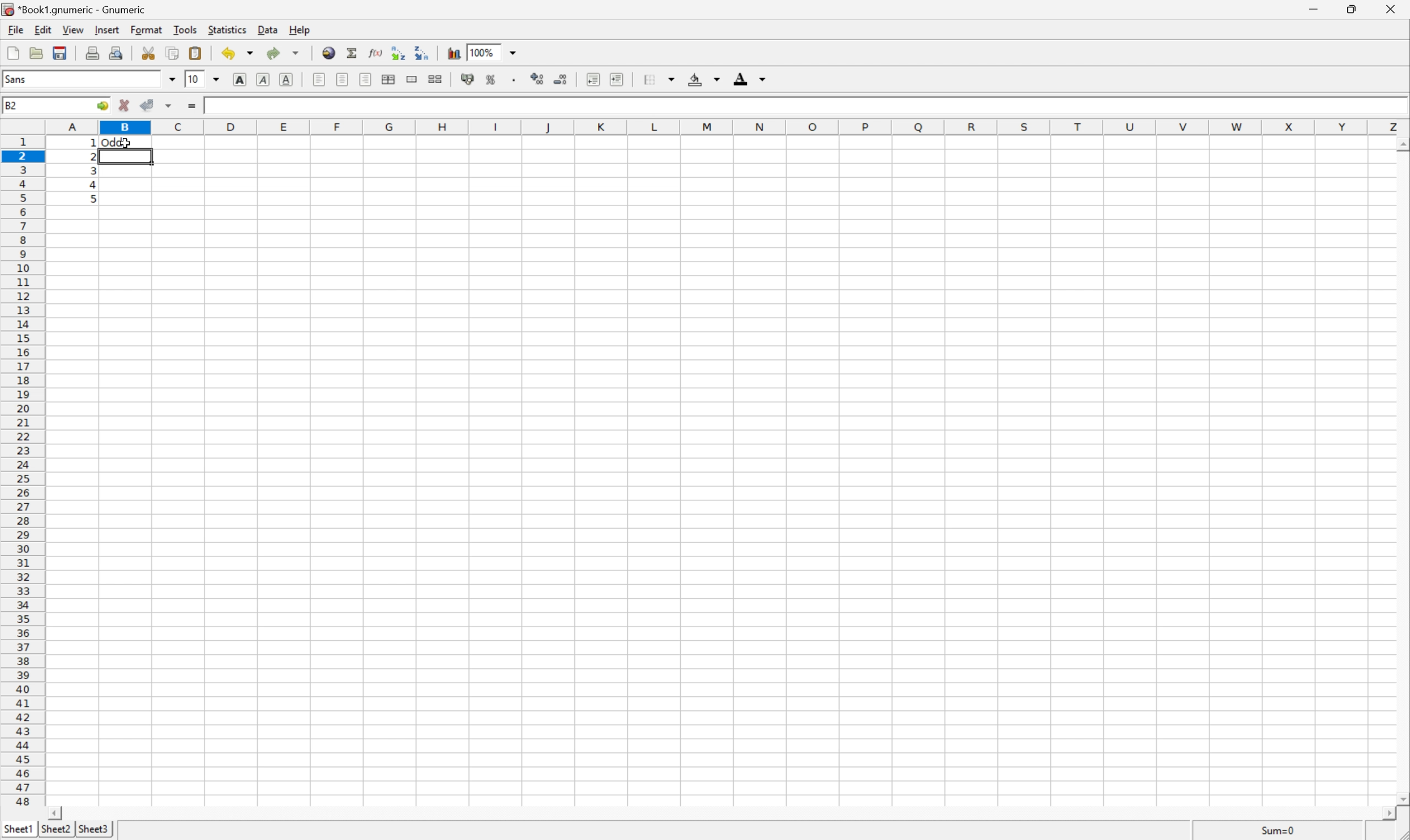 This screenshot has width=1410, height=840. I want to click on Sum in current cell, so click(353, 54).